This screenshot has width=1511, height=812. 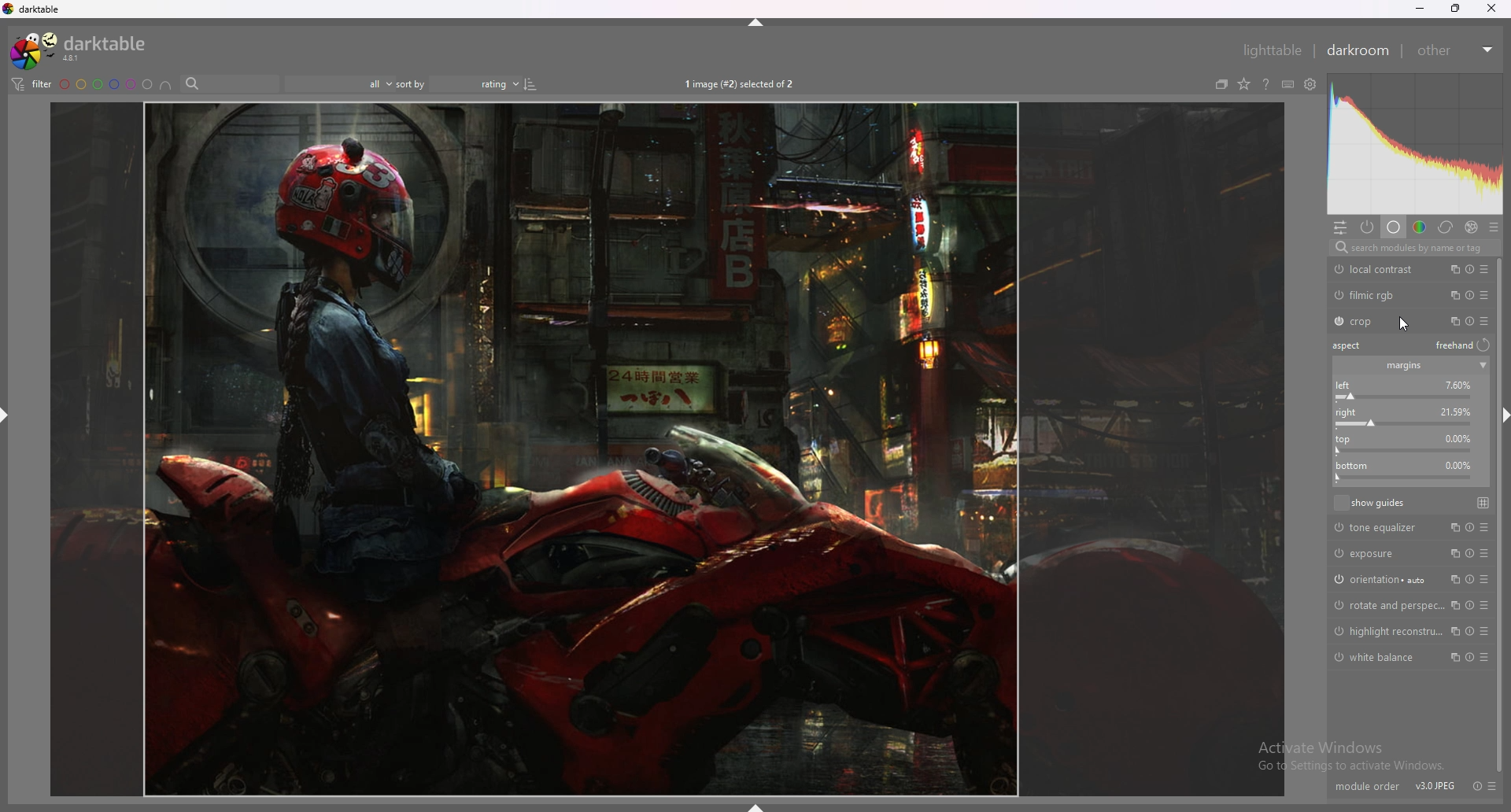 I want to click on multiple instances action, so click(x=1453, y=631).